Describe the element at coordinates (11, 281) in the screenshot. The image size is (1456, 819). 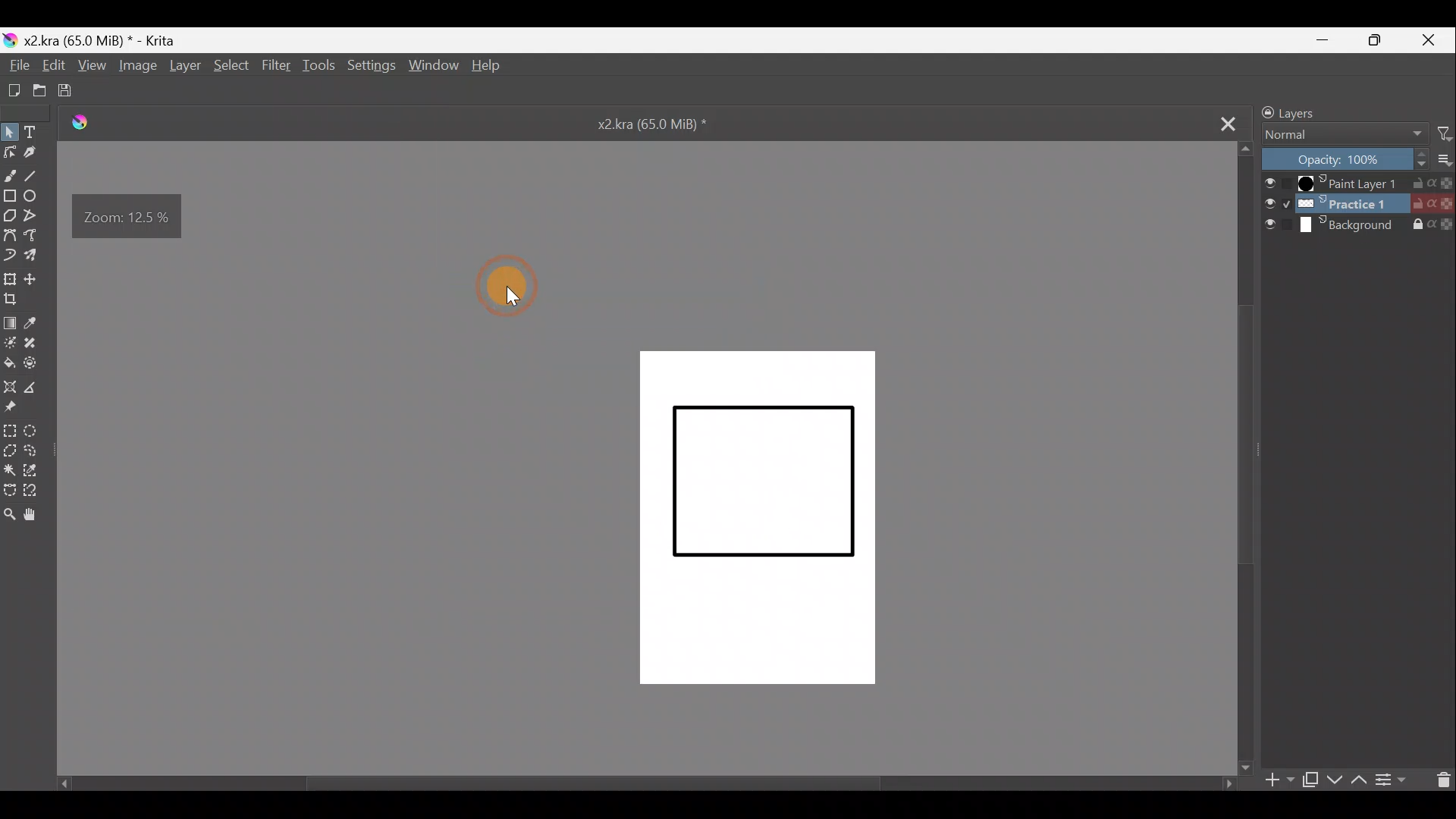
I see `Transform a layer/selection` at that location.